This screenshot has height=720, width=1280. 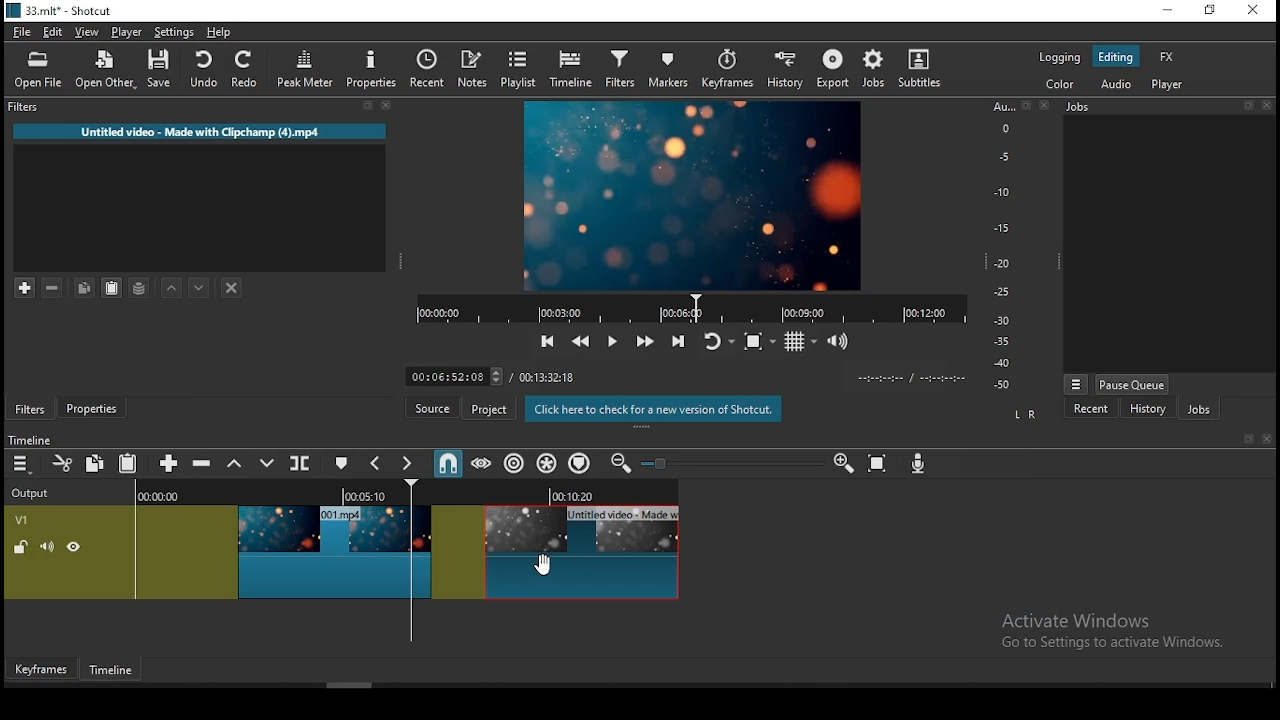 I want to click on video progress bar, so click(x=684, y=309).